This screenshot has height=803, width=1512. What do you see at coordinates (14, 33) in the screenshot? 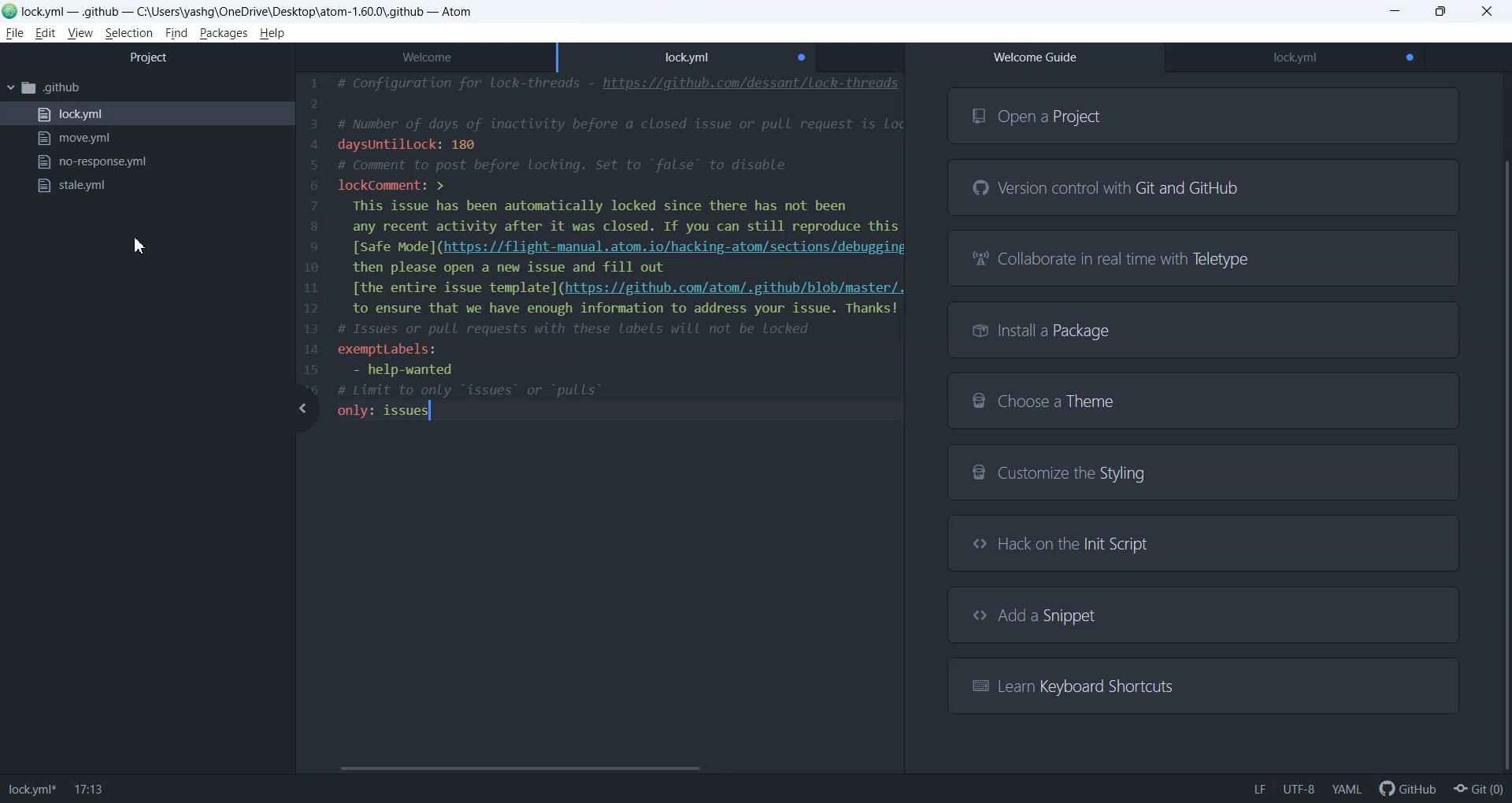
I see `File` at bounding box center [14, 33].